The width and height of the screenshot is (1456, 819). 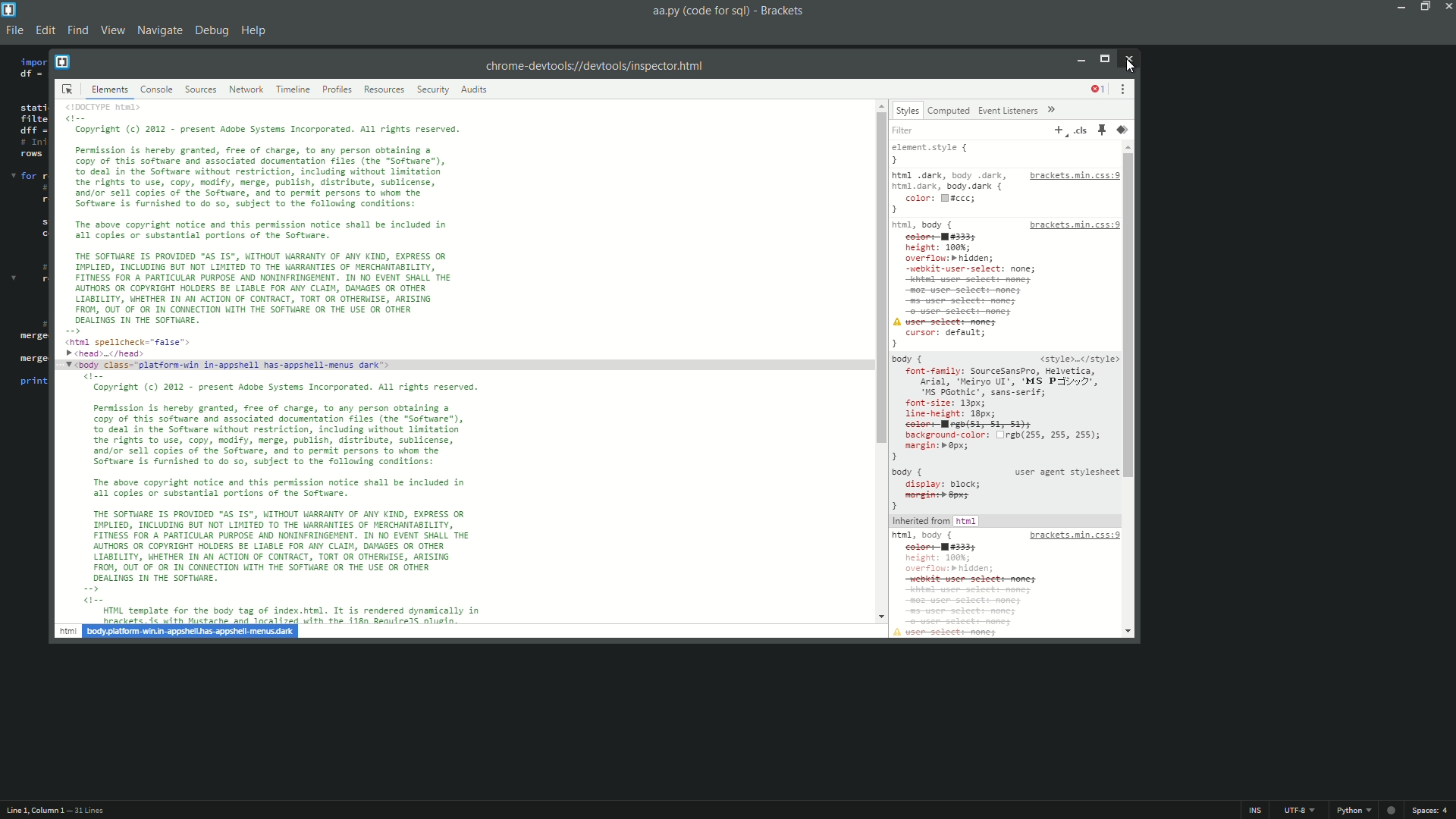 I want to click on element.style {}, so click(x=937, y=153).